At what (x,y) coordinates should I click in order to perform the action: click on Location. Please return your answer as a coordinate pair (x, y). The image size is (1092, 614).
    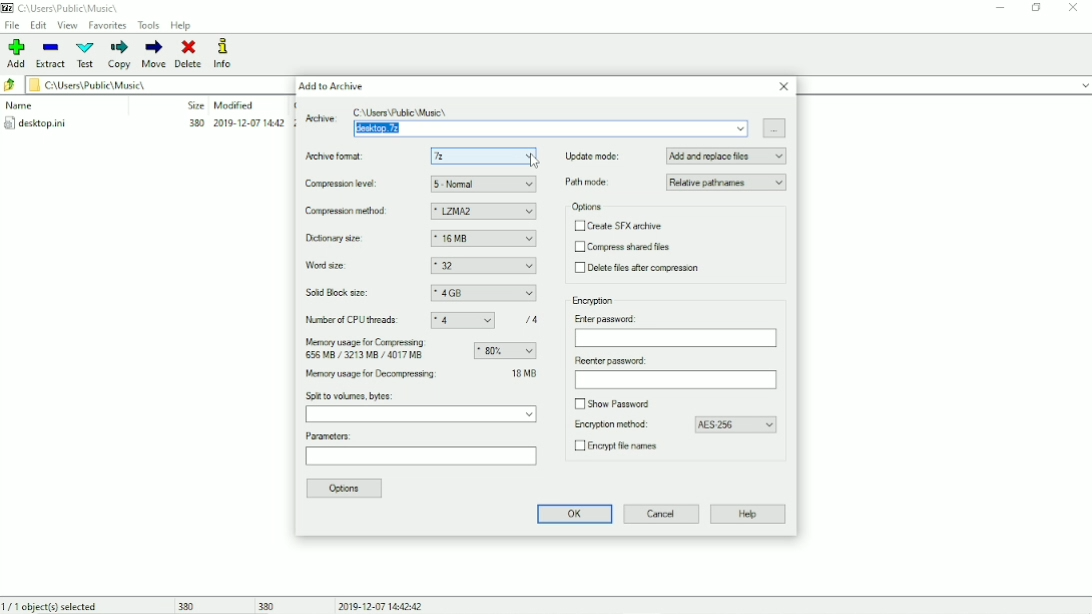
    Looking at the image, I should click on (65, 8).